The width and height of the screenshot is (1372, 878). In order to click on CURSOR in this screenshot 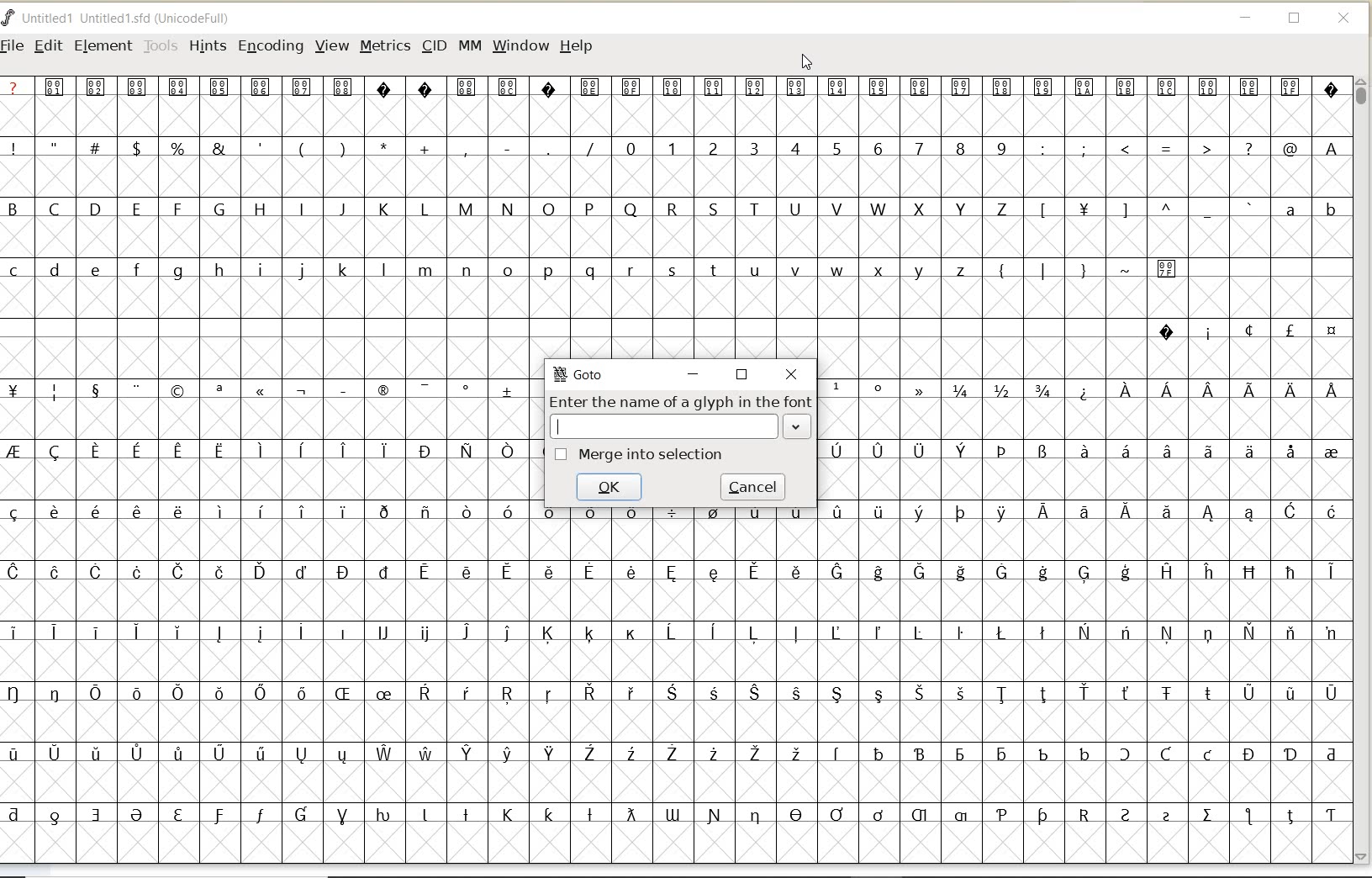, I will do `click(808, 63)`.